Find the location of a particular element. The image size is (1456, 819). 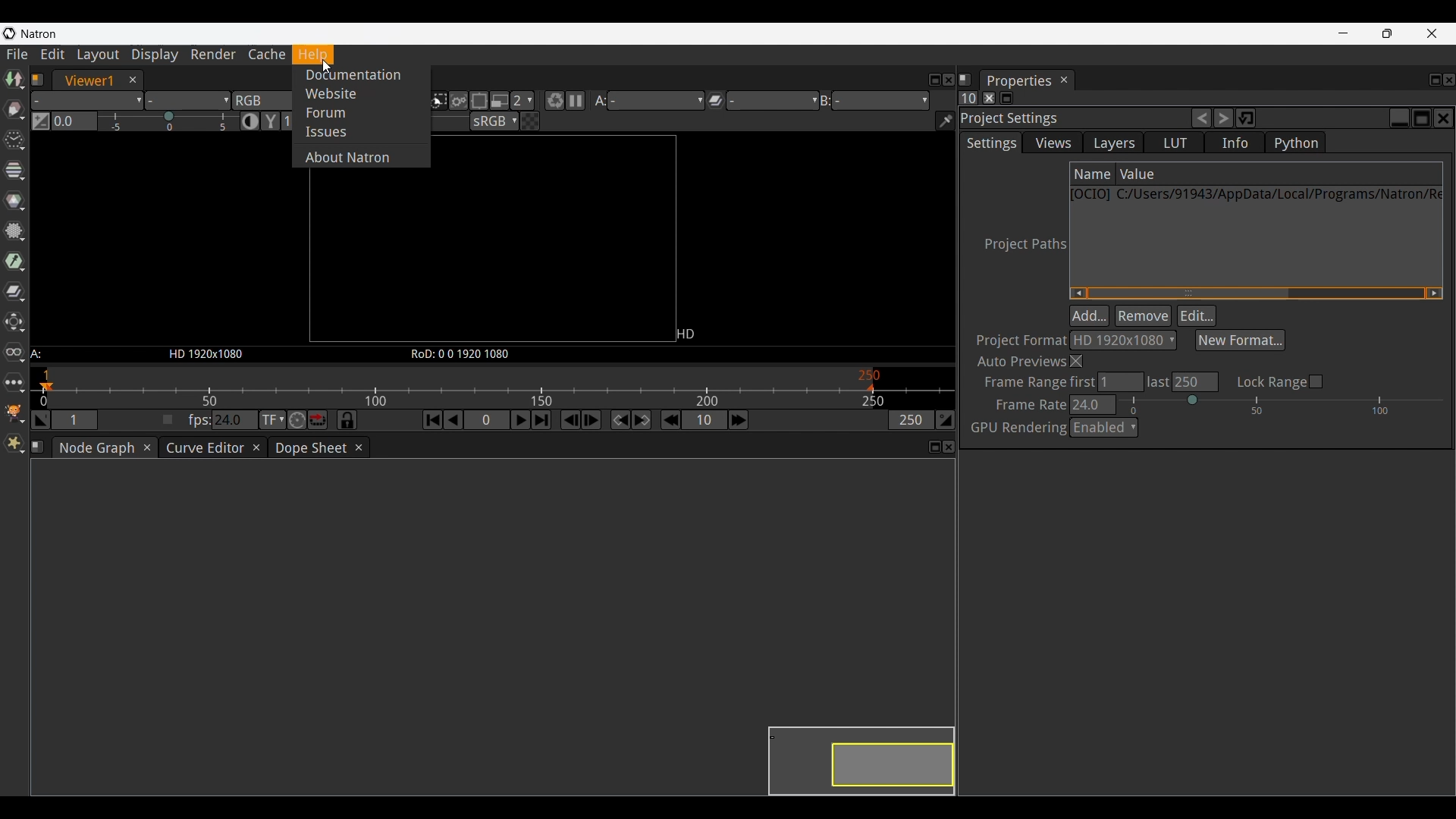

About Natron is located at coordinates (361, 157).